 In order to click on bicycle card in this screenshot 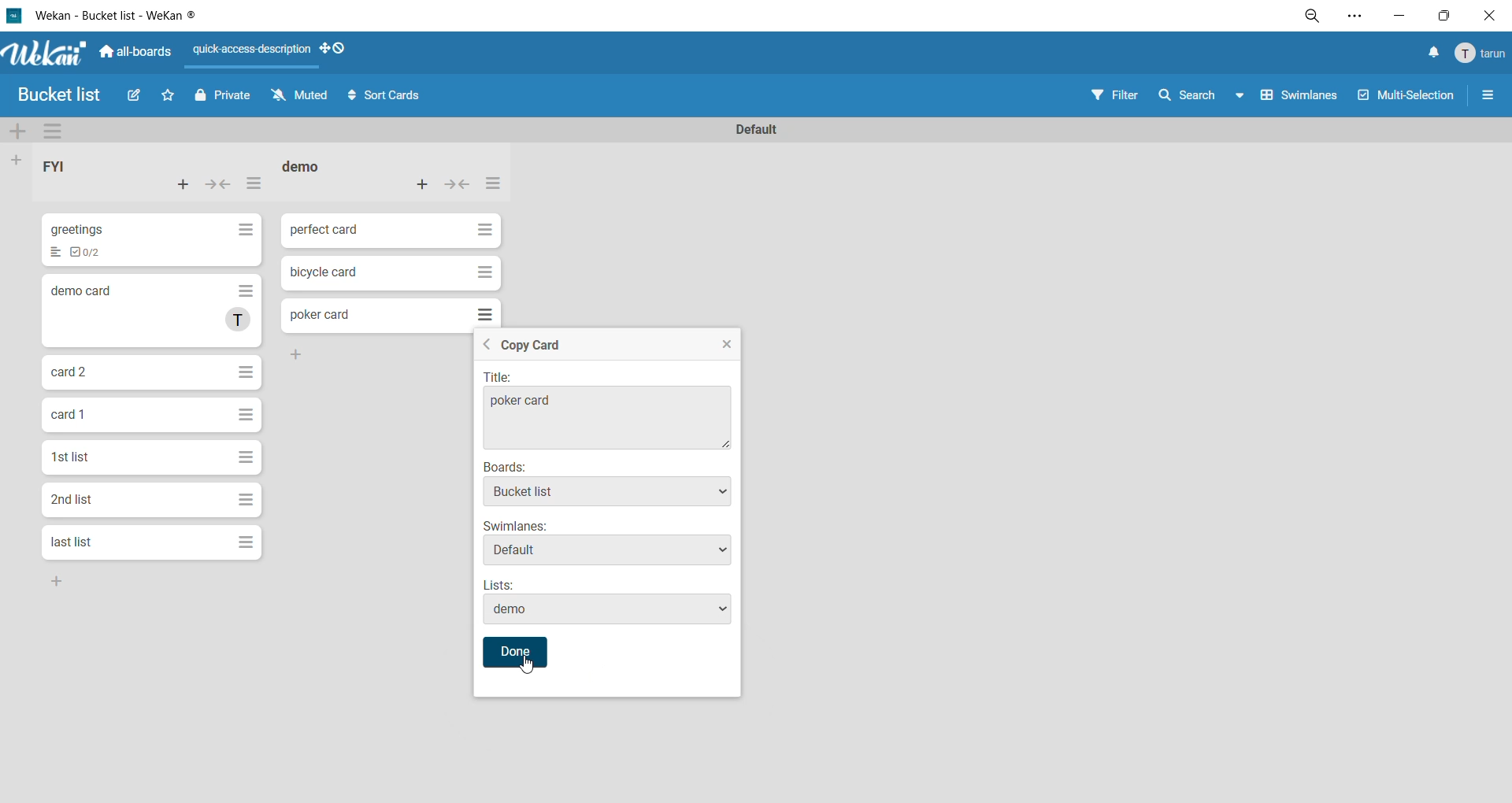, I will do `click(324, 271)`.